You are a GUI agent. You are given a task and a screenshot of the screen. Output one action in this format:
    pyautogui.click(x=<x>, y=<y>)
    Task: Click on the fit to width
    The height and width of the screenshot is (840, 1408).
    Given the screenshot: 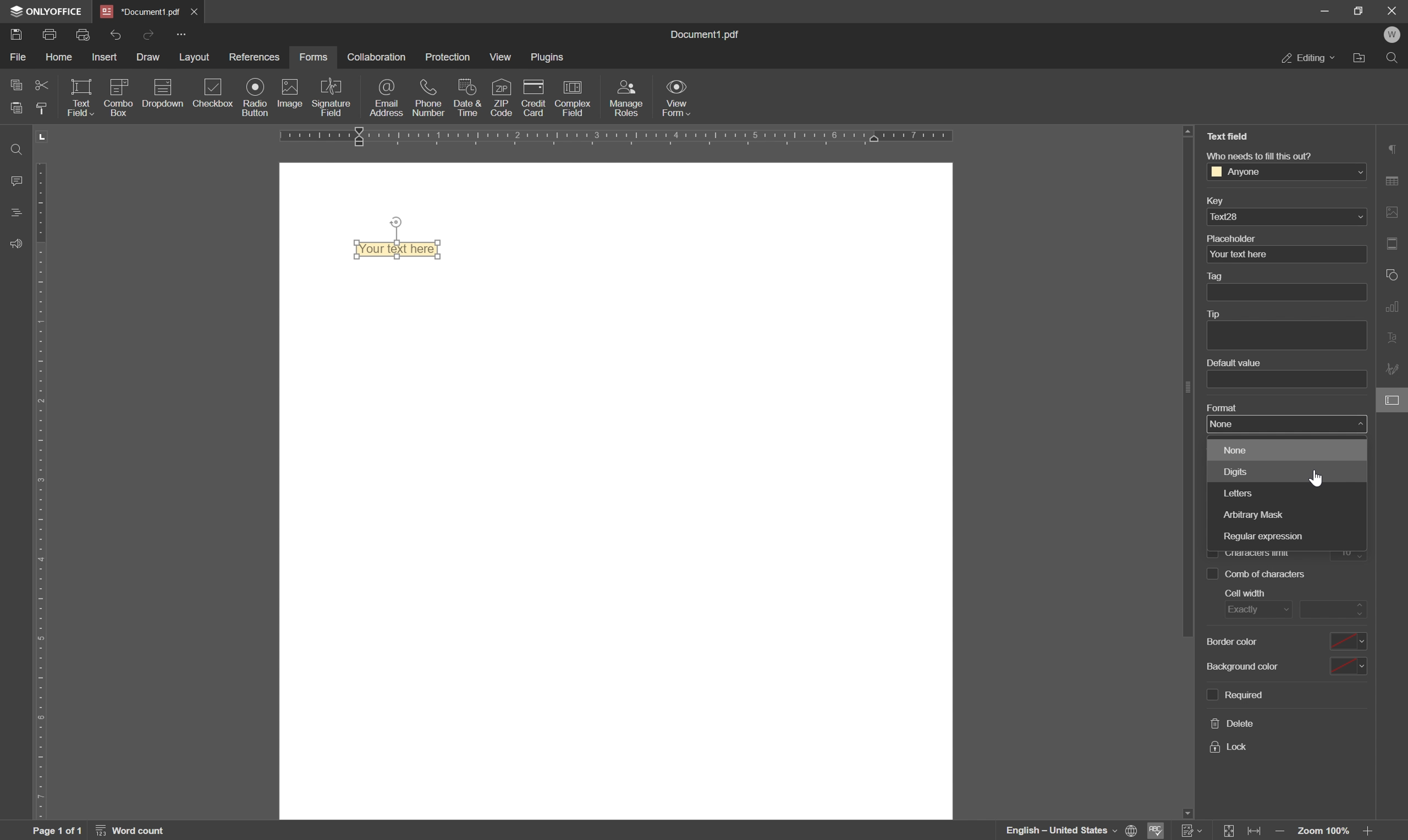 What is the action you would take?
    pyautogui.click(x=1257, y=831)
    